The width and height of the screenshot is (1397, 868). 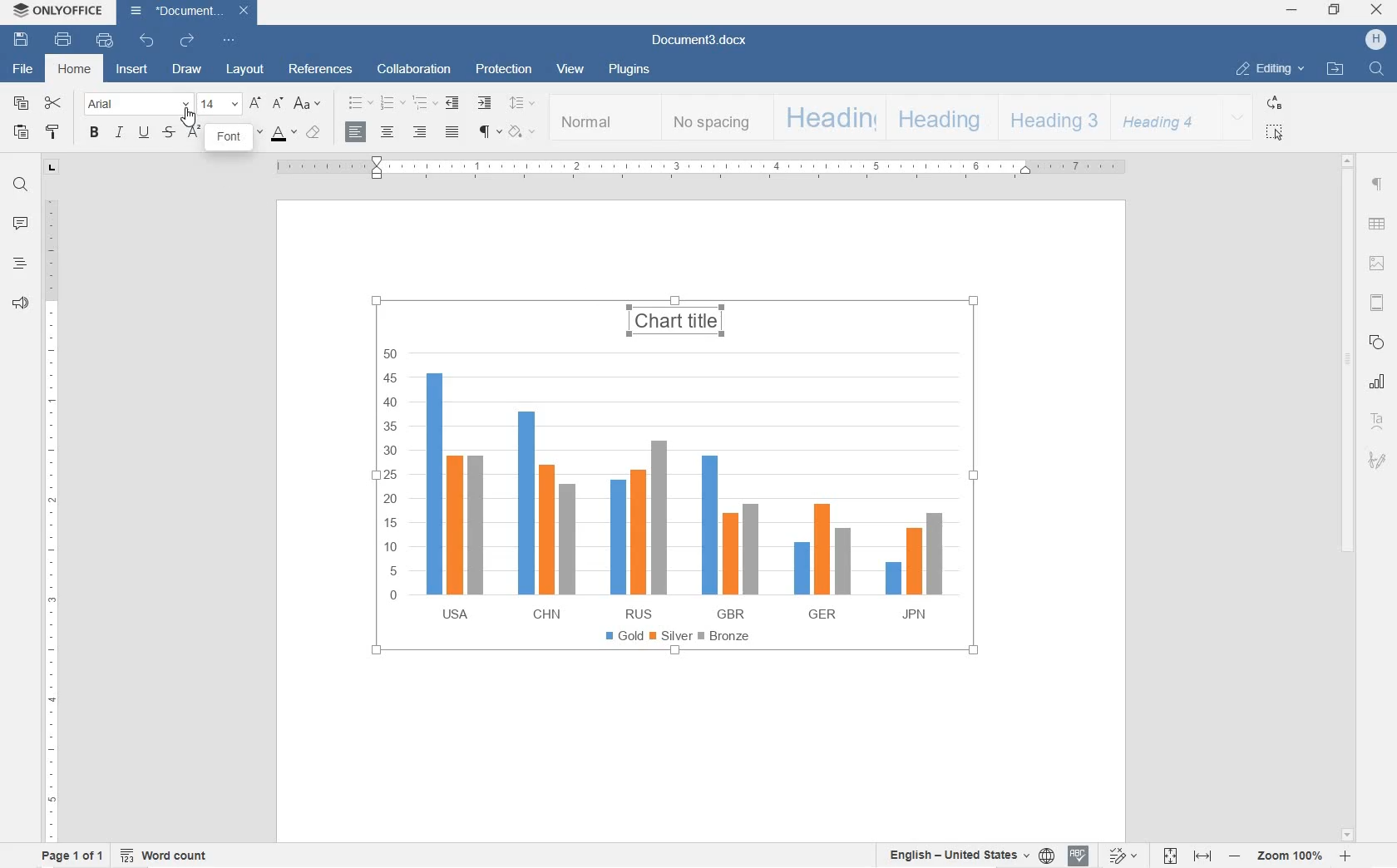 What do you see at coordinates (65, 42) in the screenshot?
I see `PRINT` at bounding box center [65, 42].